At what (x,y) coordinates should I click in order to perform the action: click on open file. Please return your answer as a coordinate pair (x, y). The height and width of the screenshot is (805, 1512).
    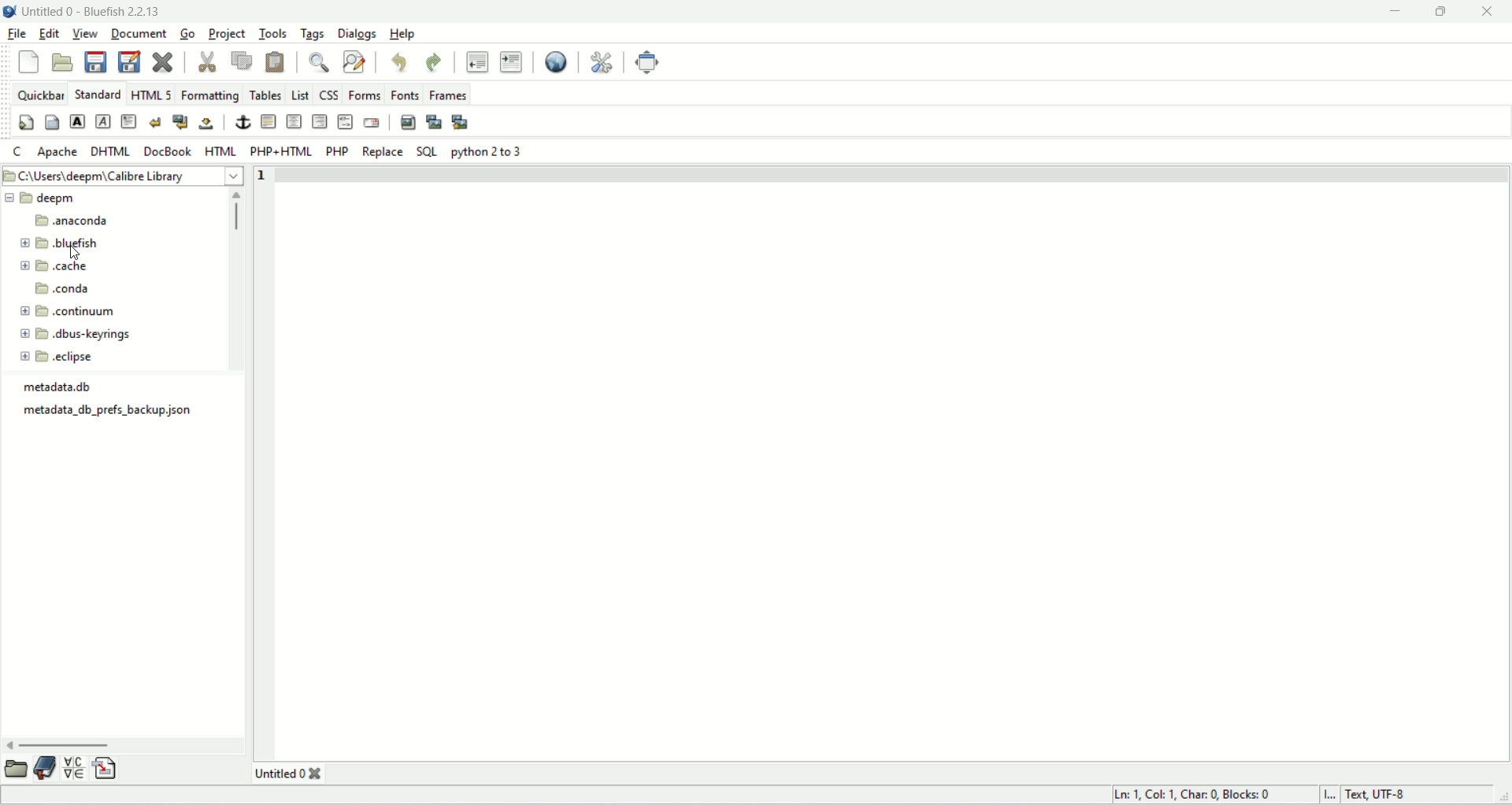
    Looking at the image, I should click on (64, 62).